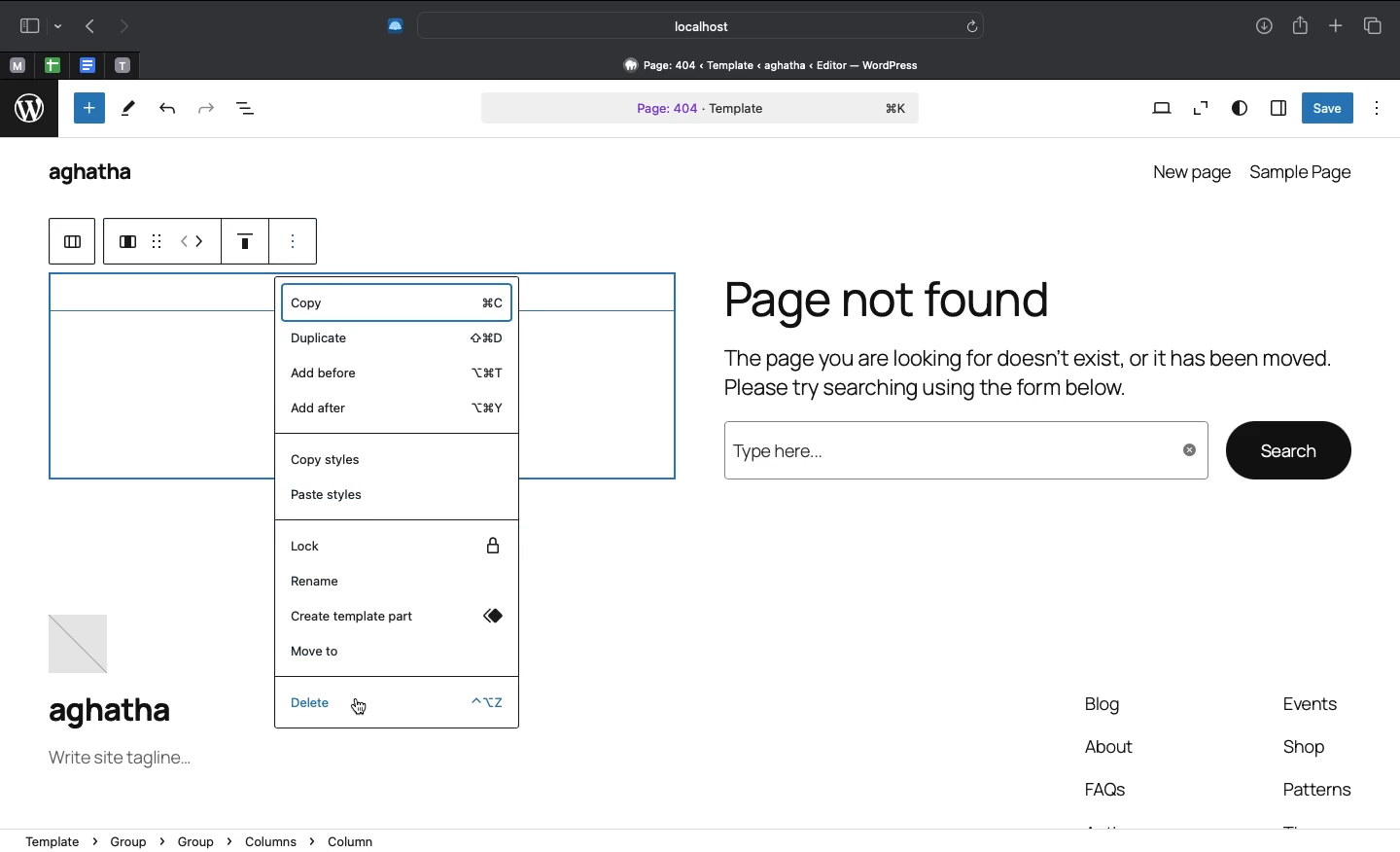  What do you see at coordinates (1378, 23) in the screenshot?
I see `Tabs` at bounding box center [1378, 23].